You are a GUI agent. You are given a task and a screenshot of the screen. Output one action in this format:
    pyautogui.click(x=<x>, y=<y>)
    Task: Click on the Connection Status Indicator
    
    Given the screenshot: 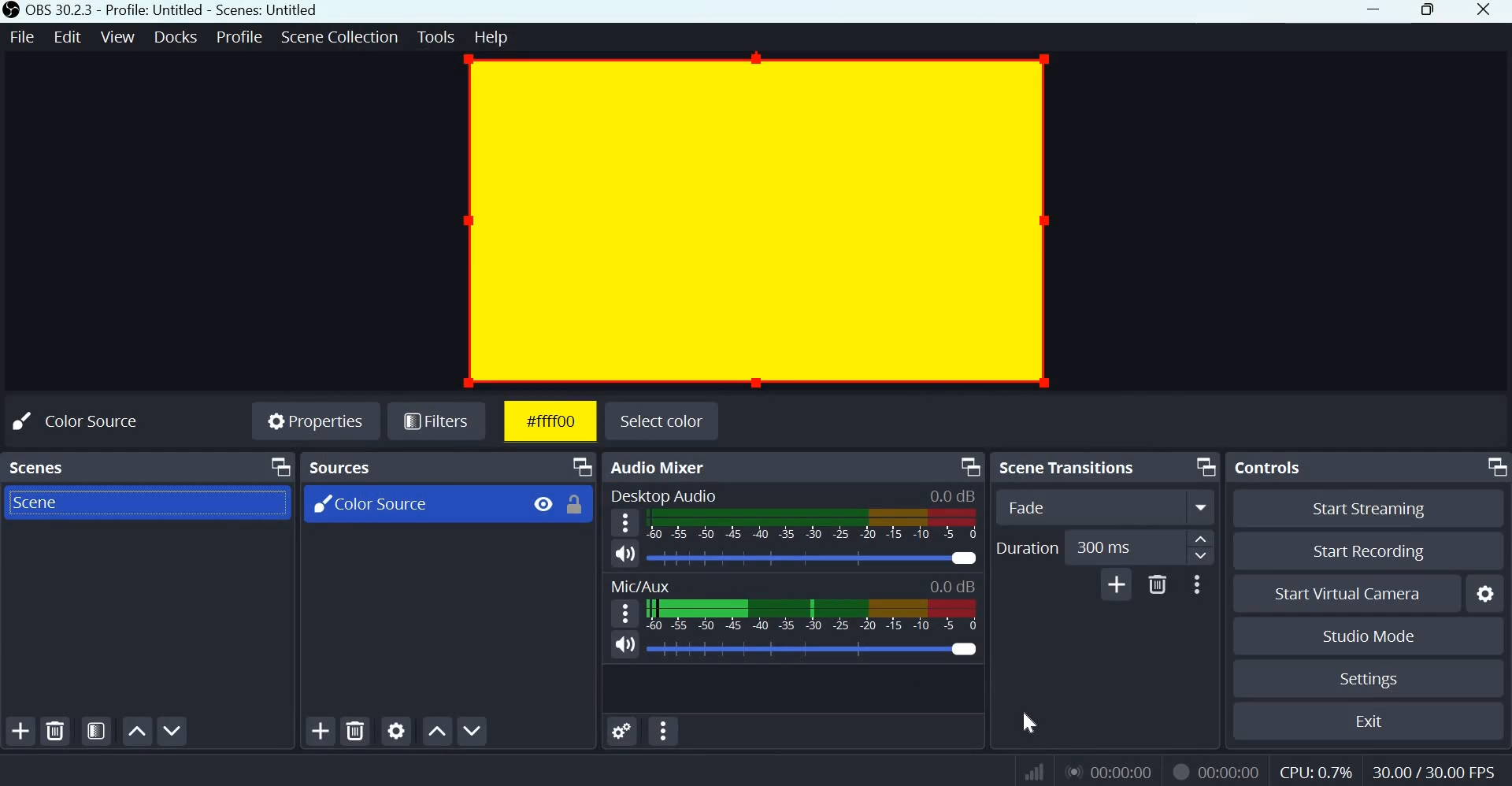 What is the action you would take?
    pyautogui.click(x=1032, y=772)
    